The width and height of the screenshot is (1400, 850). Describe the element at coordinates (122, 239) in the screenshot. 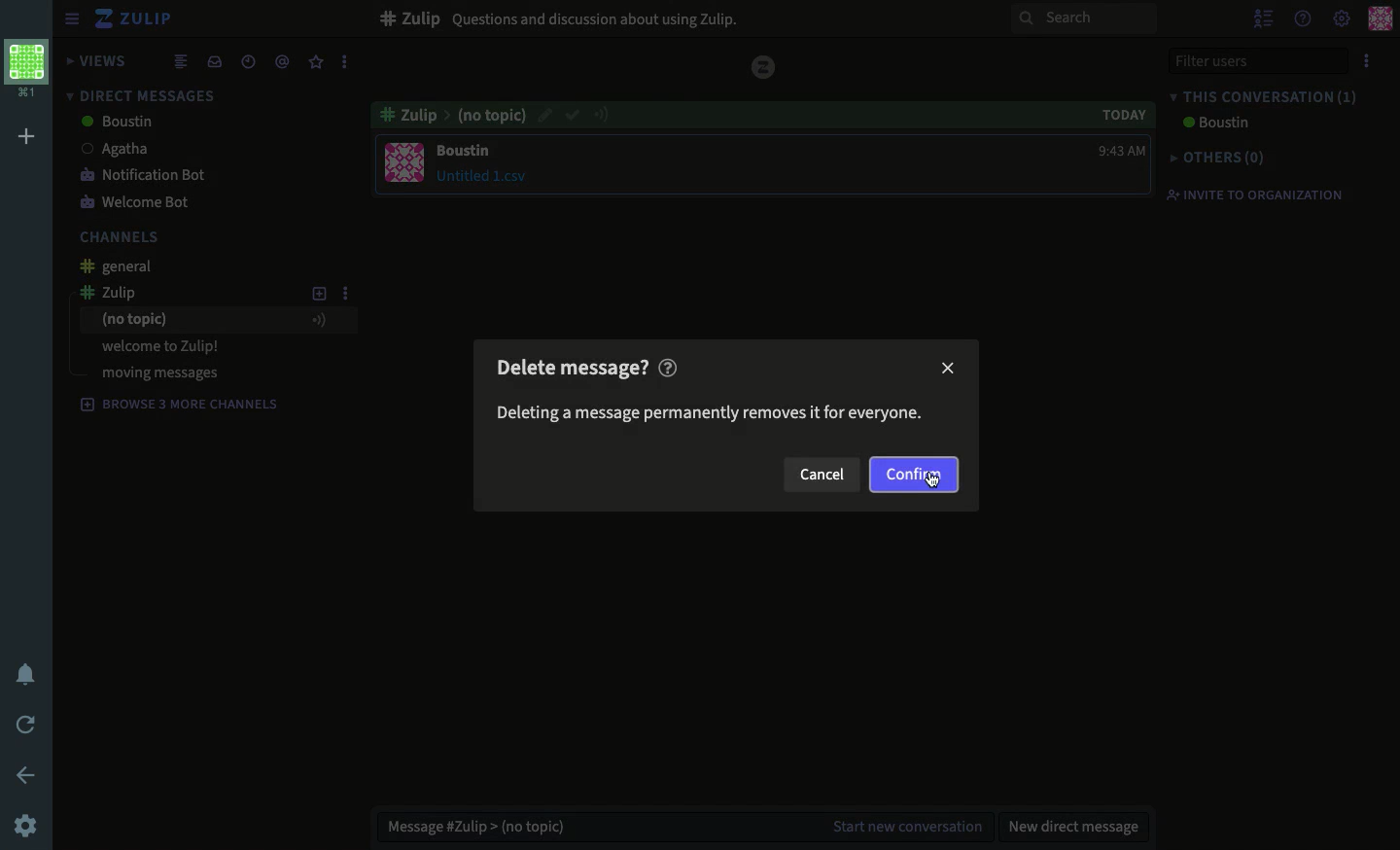

I see `channels` at that location.